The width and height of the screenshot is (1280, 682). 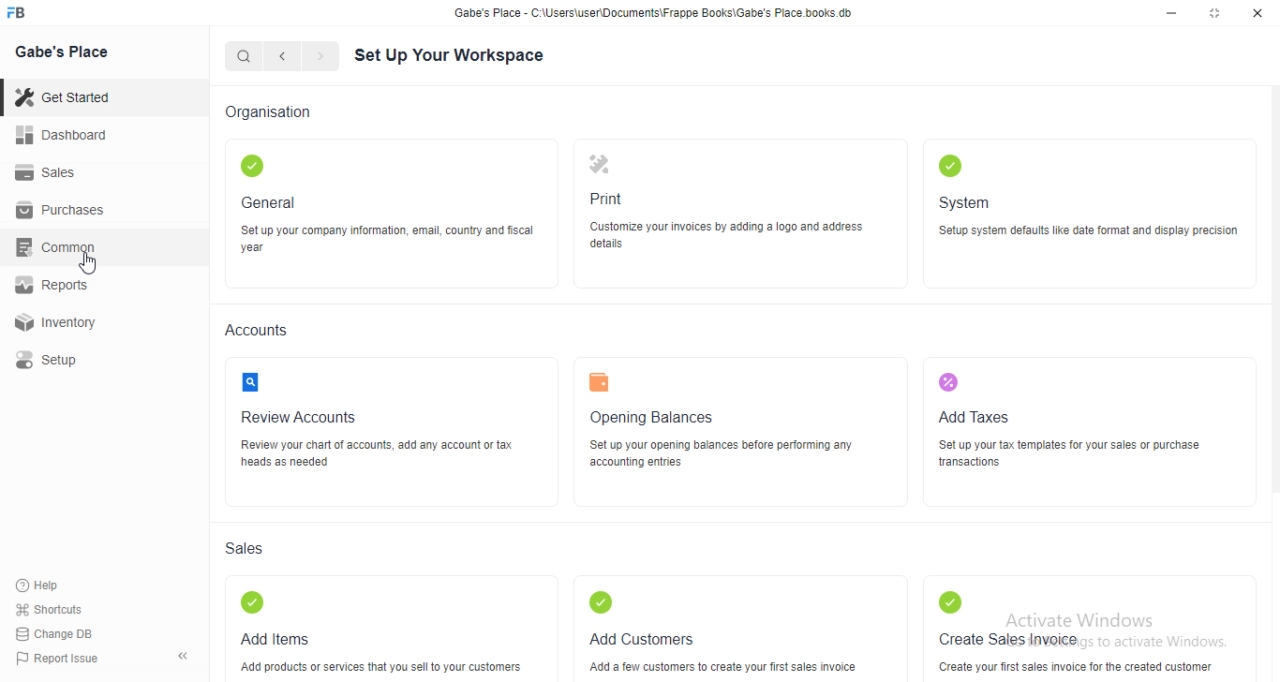 I want to click on Setup, so click(x=45, y=360).